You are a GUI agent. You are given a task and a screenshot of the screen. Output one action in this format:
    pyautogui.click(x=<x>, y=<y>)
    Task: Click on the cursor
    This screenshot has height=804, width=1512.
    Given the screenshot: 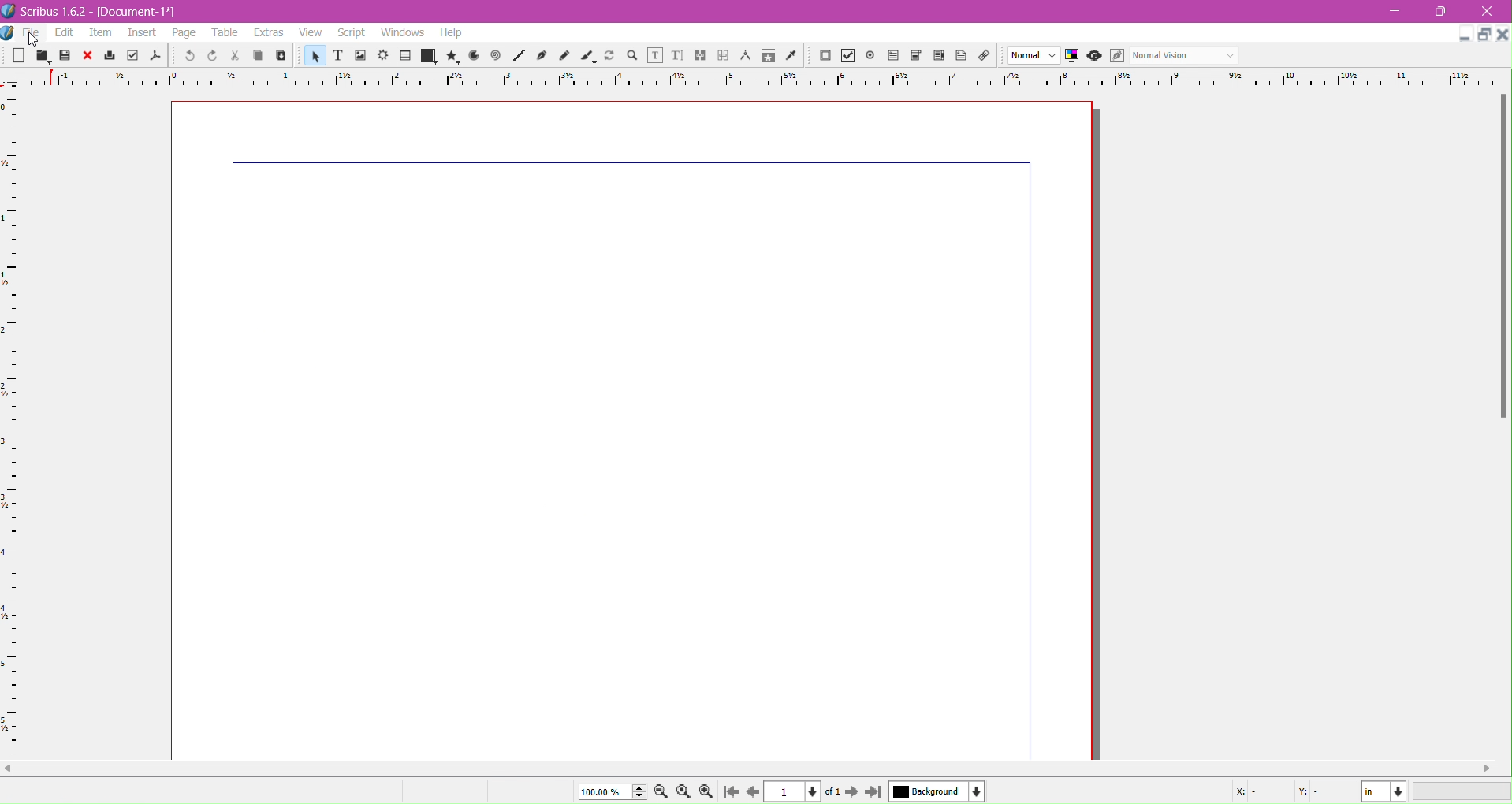 What is the action you would take?
    pyautogui.click(x=34, y=39)
    